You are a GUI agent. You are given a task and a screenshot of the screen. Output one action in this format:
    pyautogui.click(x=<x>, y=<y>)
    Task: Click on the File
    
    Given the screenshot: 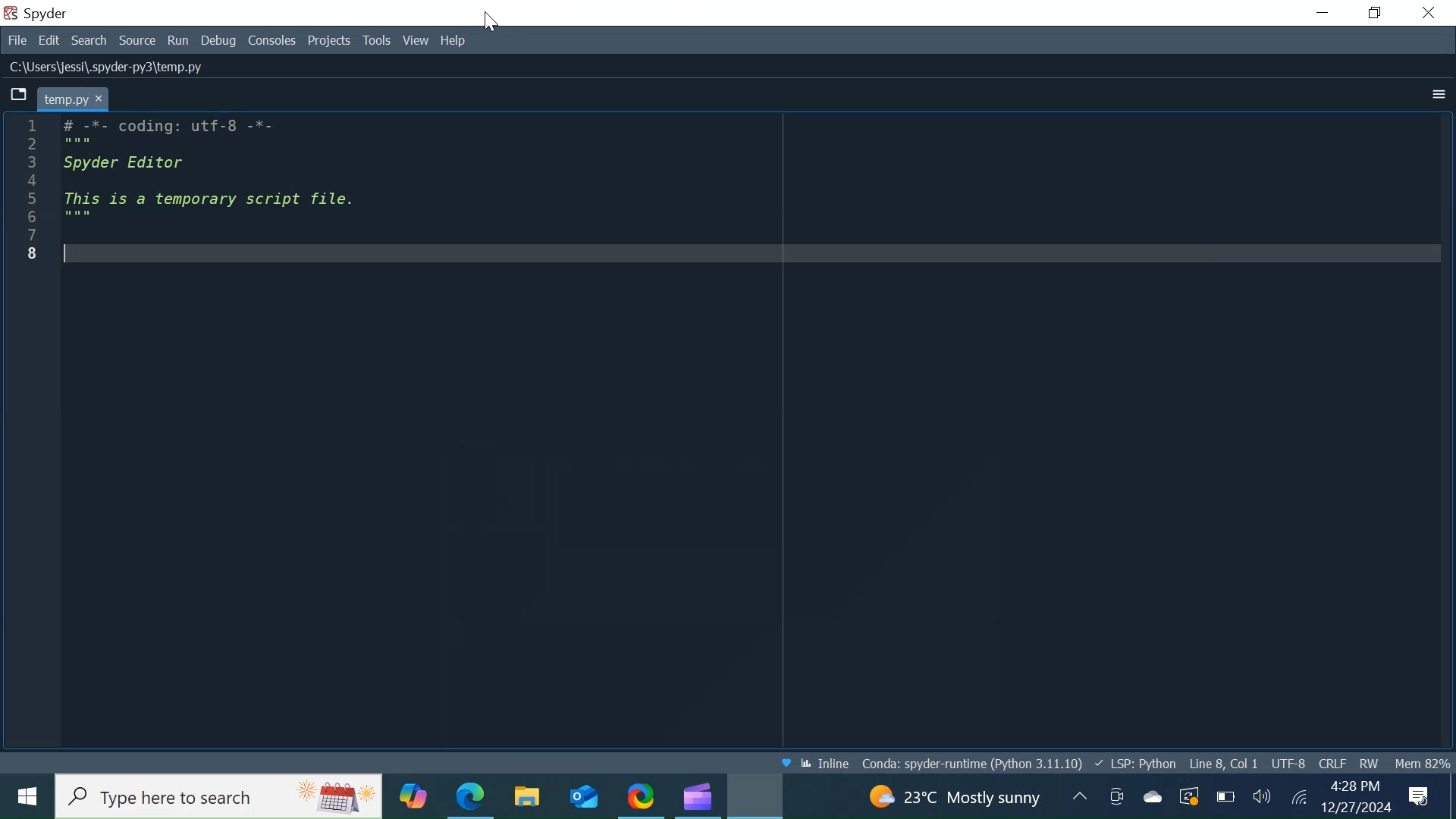 What is the action you would take?
    pyautogui.click(x=17, y=39)
    